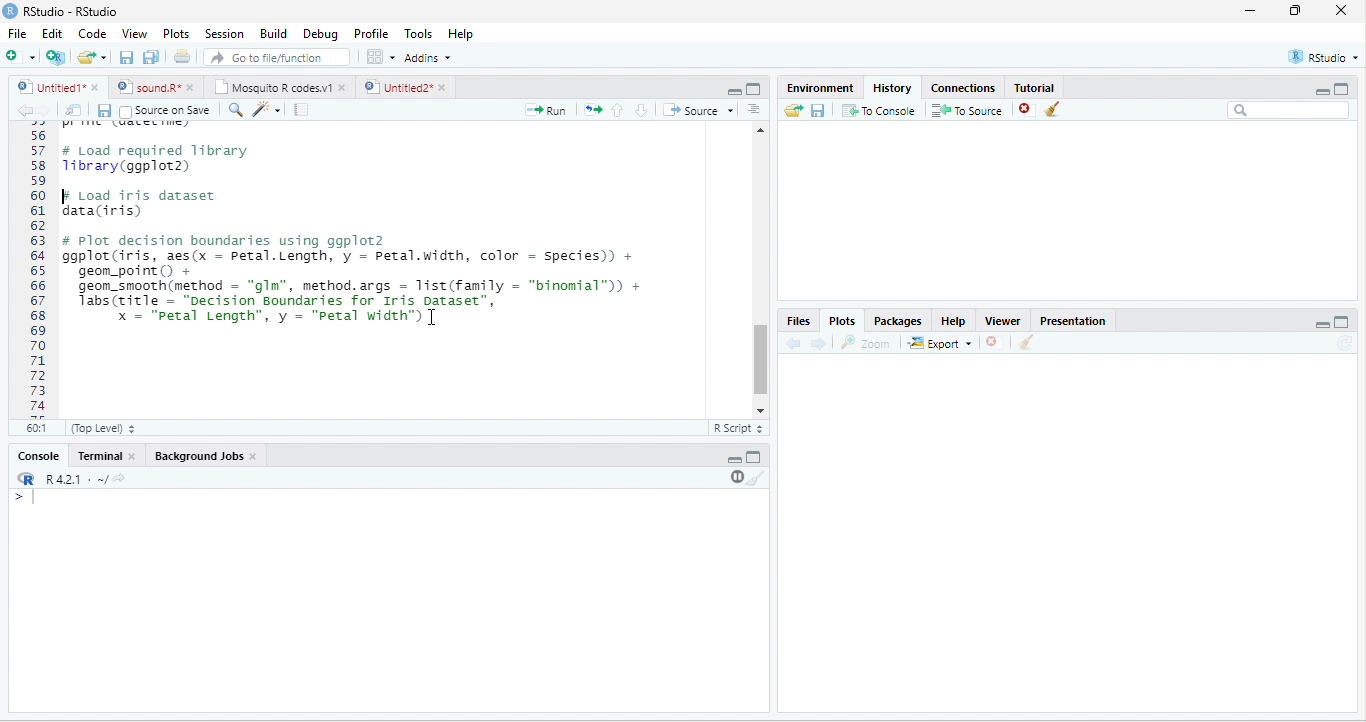  Describe the element at coordinates (56, 58) in the screenshot. I see `new project` at that location.